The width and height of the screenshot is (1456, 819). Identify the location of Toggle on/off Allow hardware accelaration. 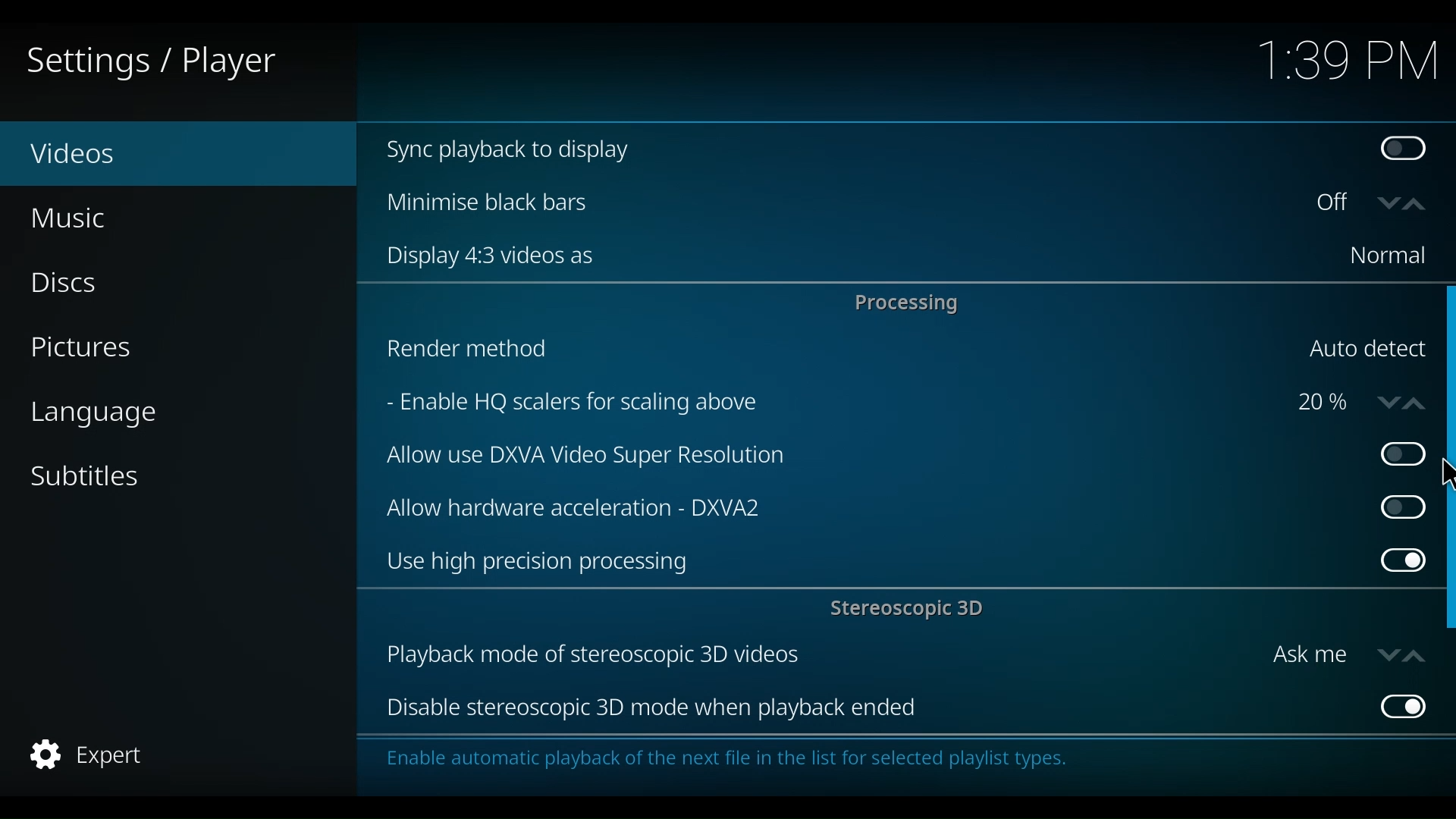
(1398, 507).